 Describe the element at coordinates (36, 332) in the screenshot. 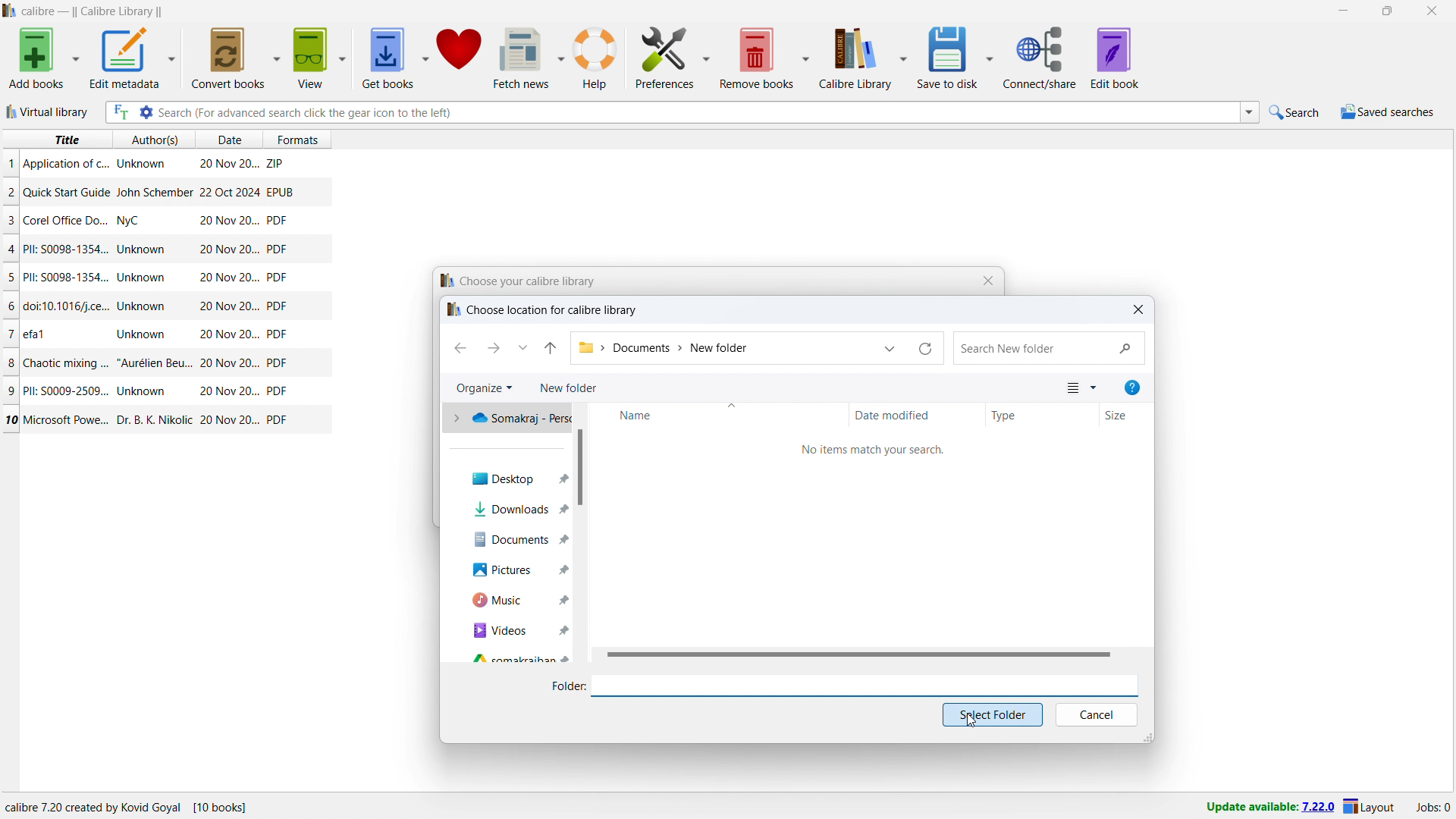

I see `Title` at that location.